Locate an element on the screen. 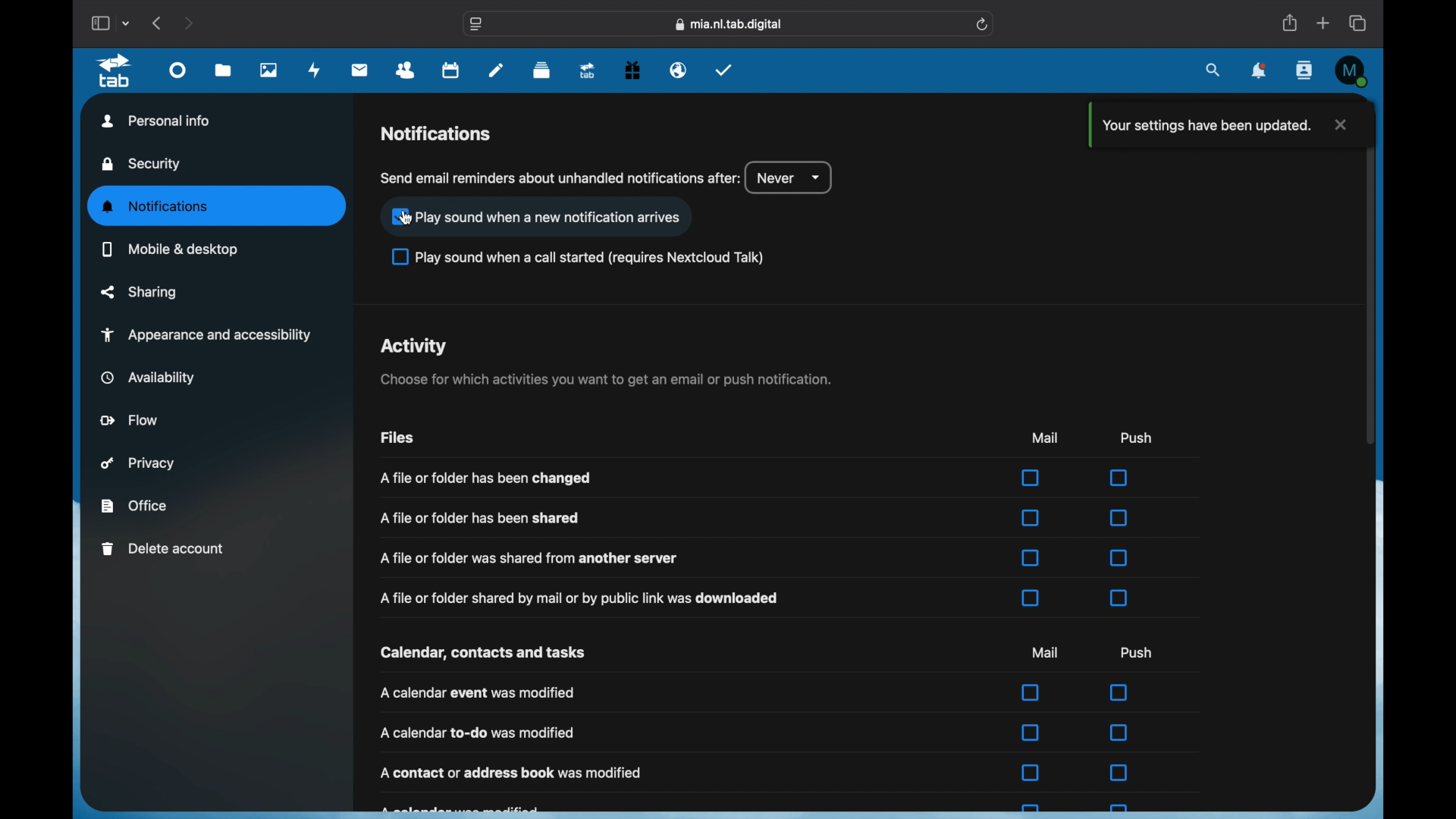 Image resolution: width=1456 pixels, height=819 pixels. web address is located at coordinates (730, 24).